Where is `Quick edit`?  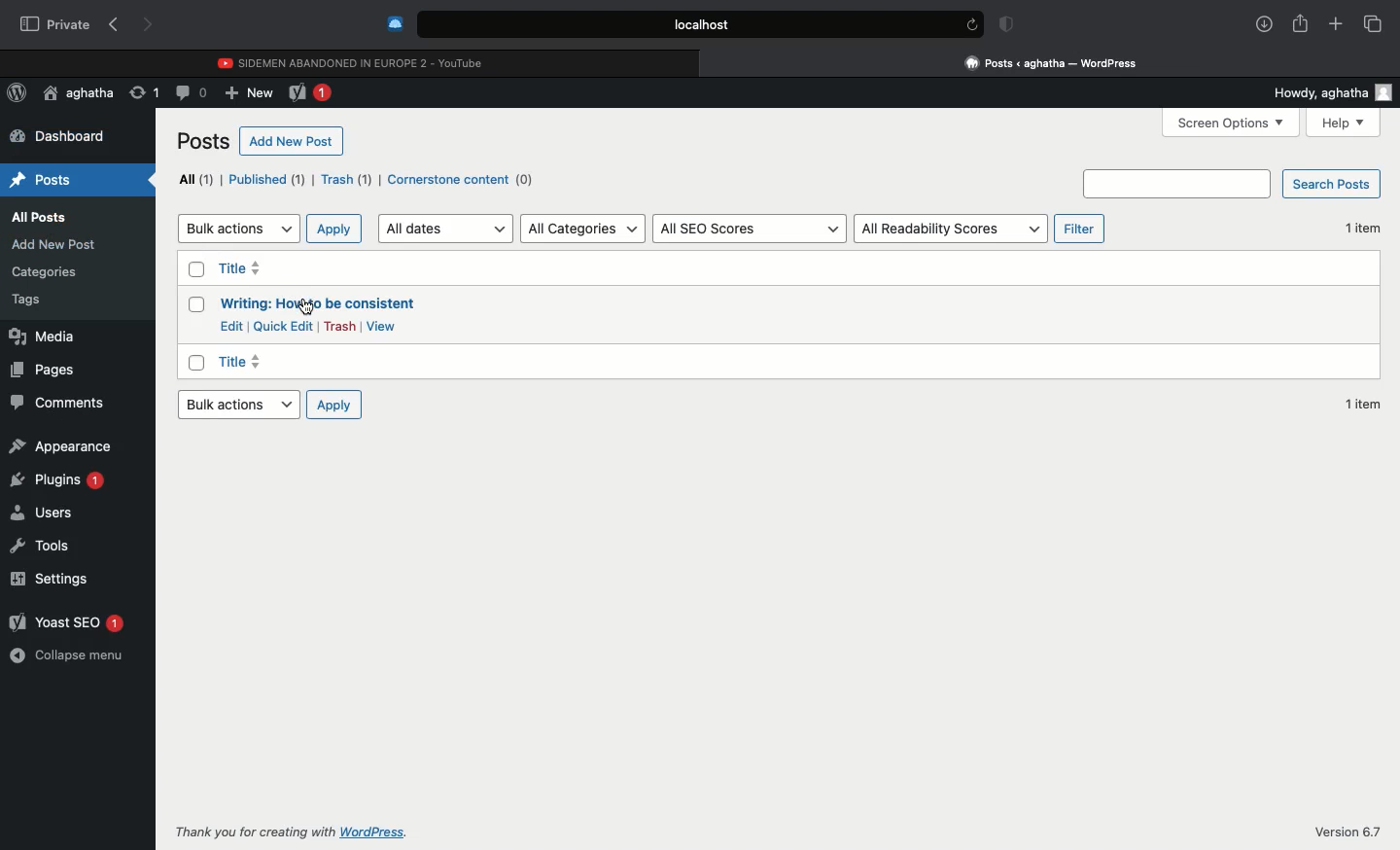
Quick edit is located at coordinates (284, 327).